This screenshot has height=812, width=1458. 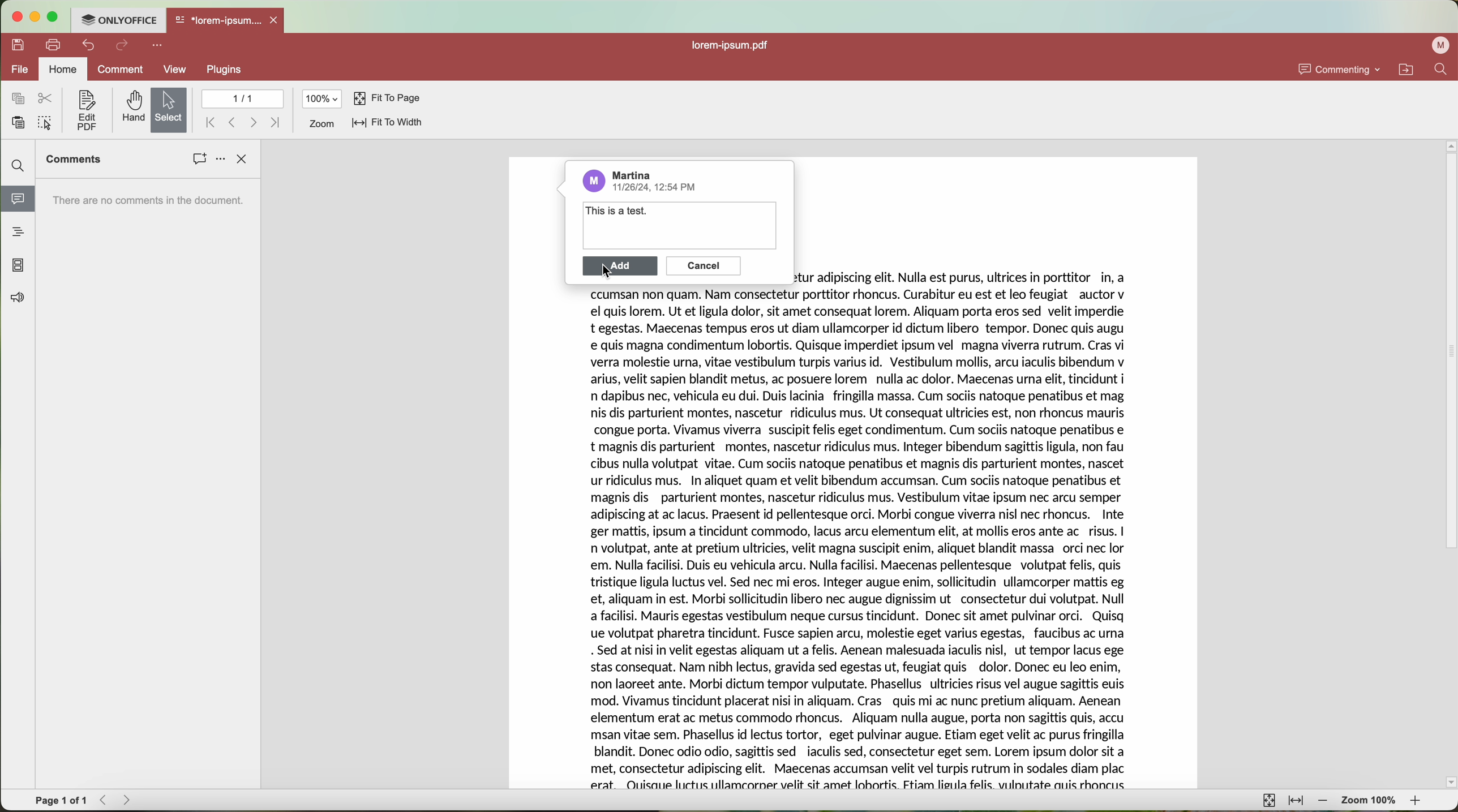 I want to click on zoom, so click(x=321, y=124).